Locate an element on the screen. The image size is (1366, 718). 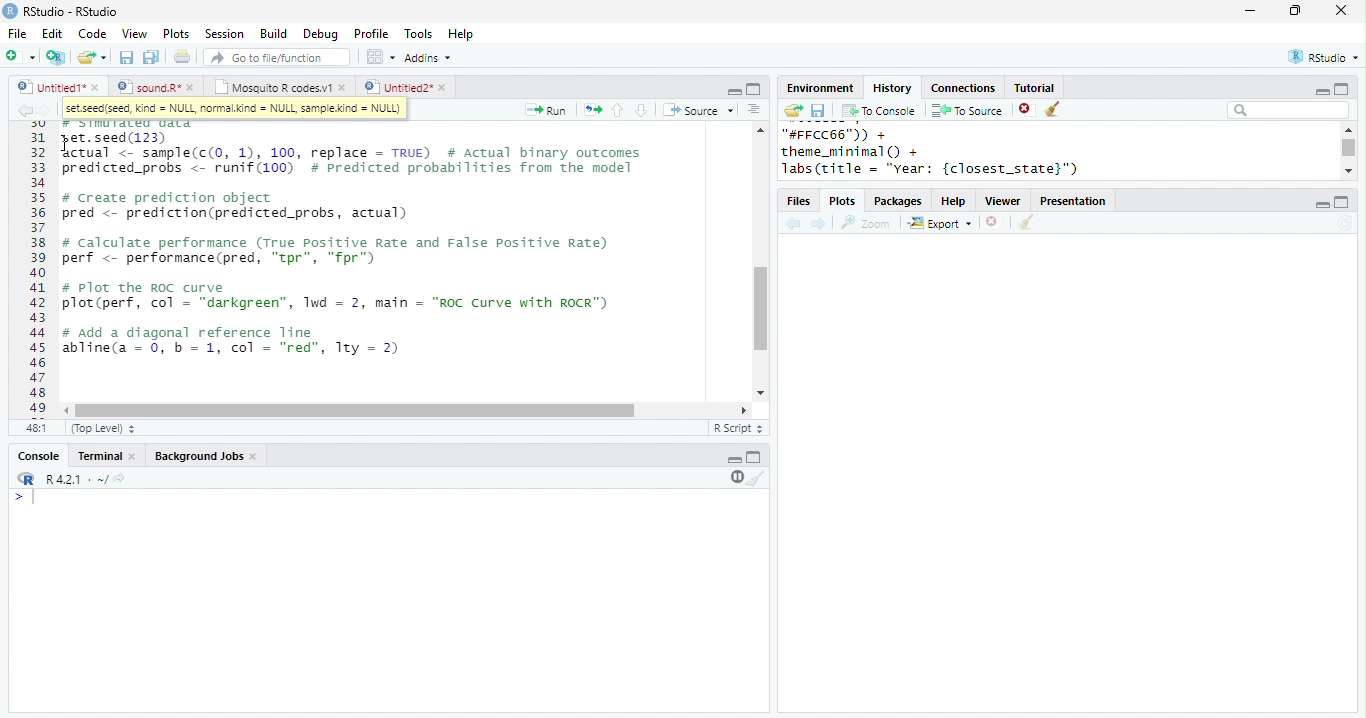
close is located at coordinates (256, 457).